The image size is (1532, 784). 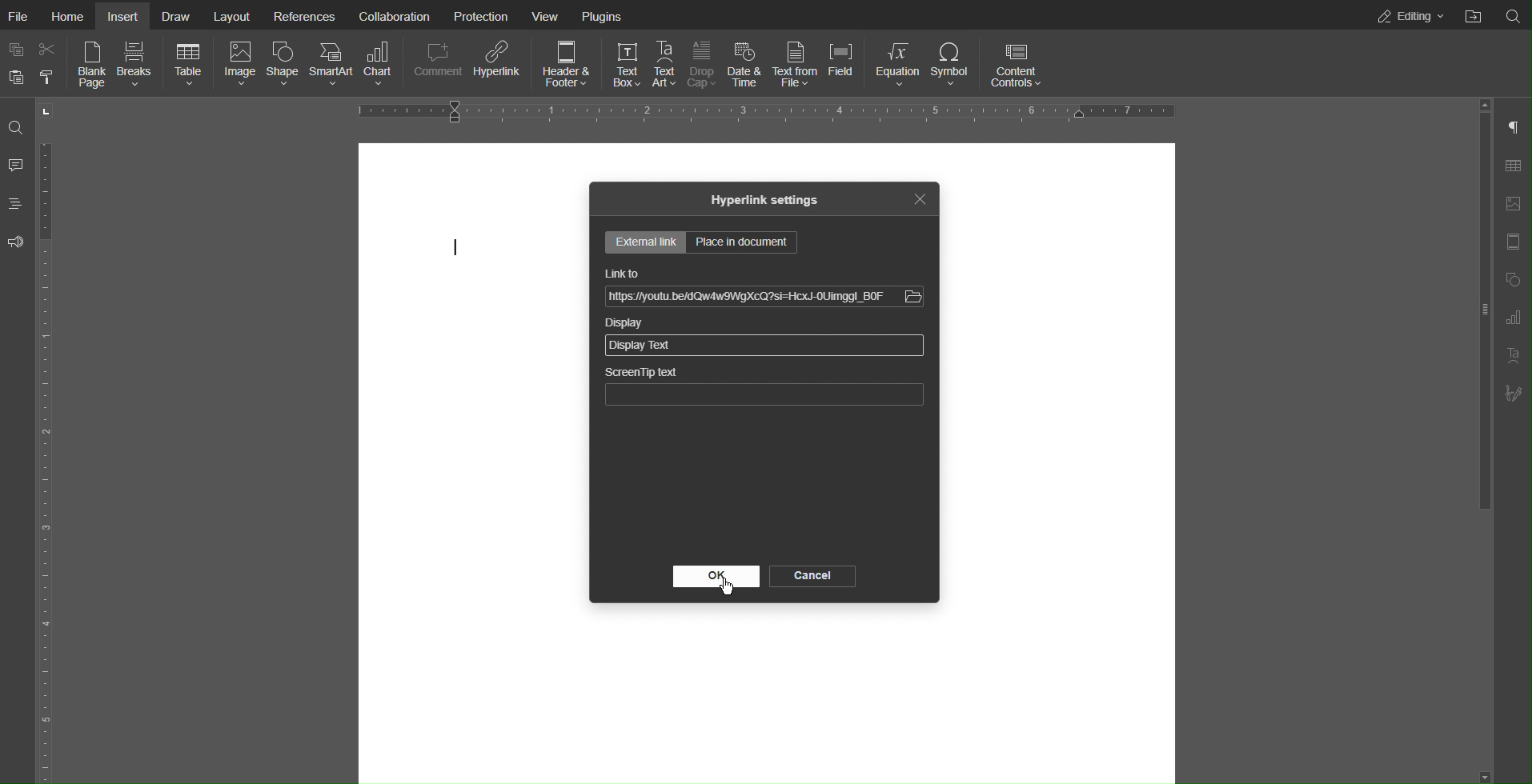 What do you see at coordinates (14, 204) in the screenshot?
I see `Headings` at bounding box center [14, 204].